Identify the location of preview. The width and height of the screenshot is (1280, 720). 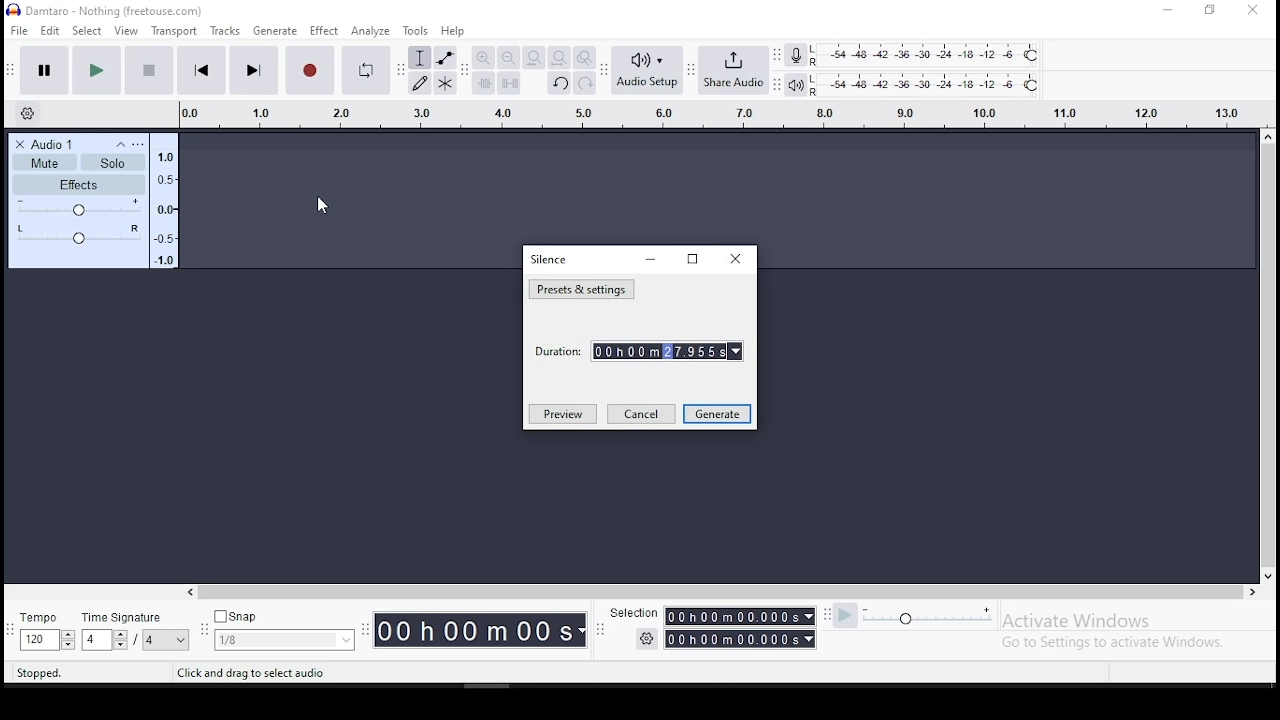
(562, 413).